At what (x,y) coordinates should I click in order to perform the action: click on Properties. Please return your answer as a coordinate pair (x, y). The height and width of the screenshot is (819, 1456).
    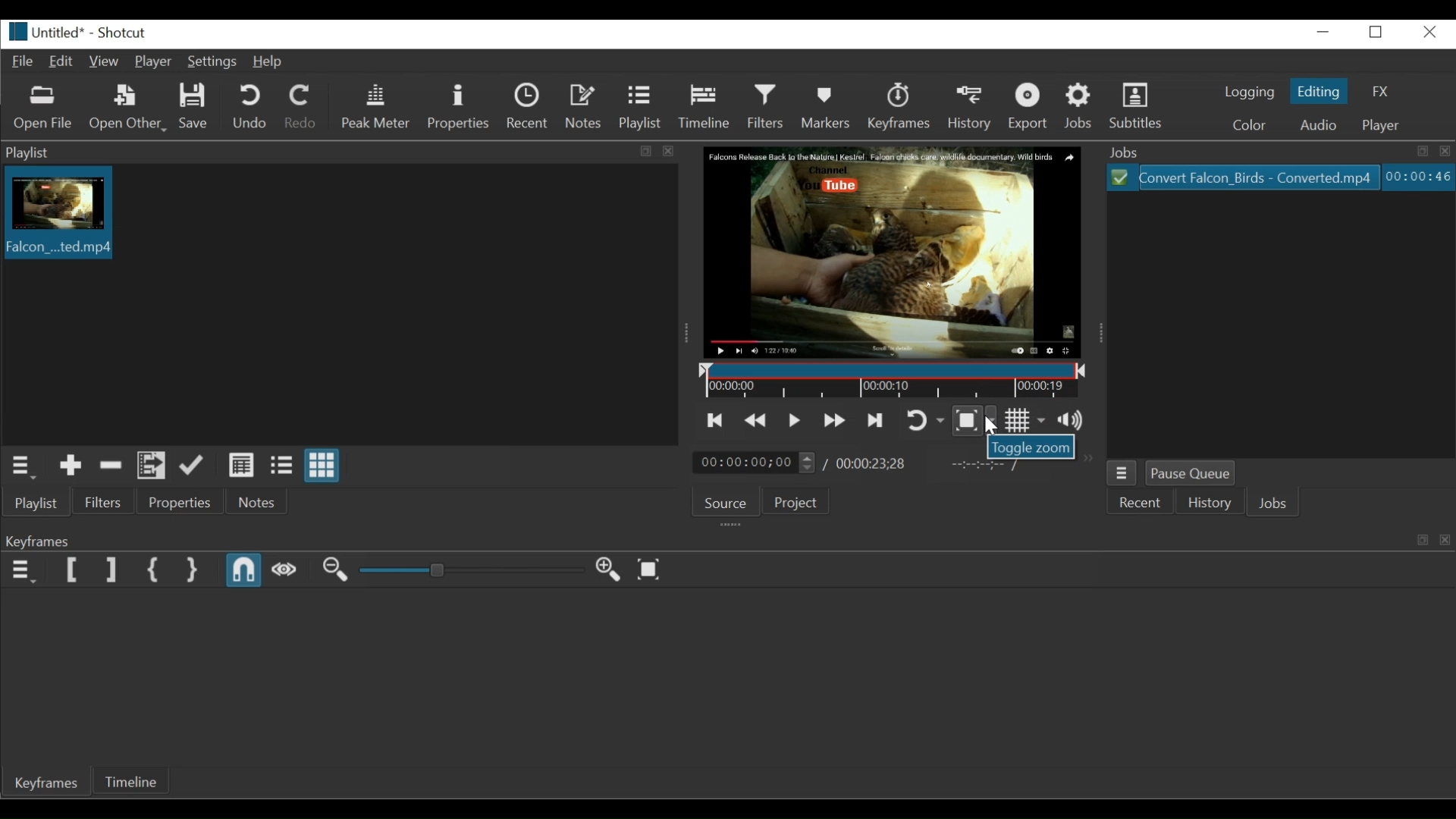
    Looking at the image, I should click on (459, 106).